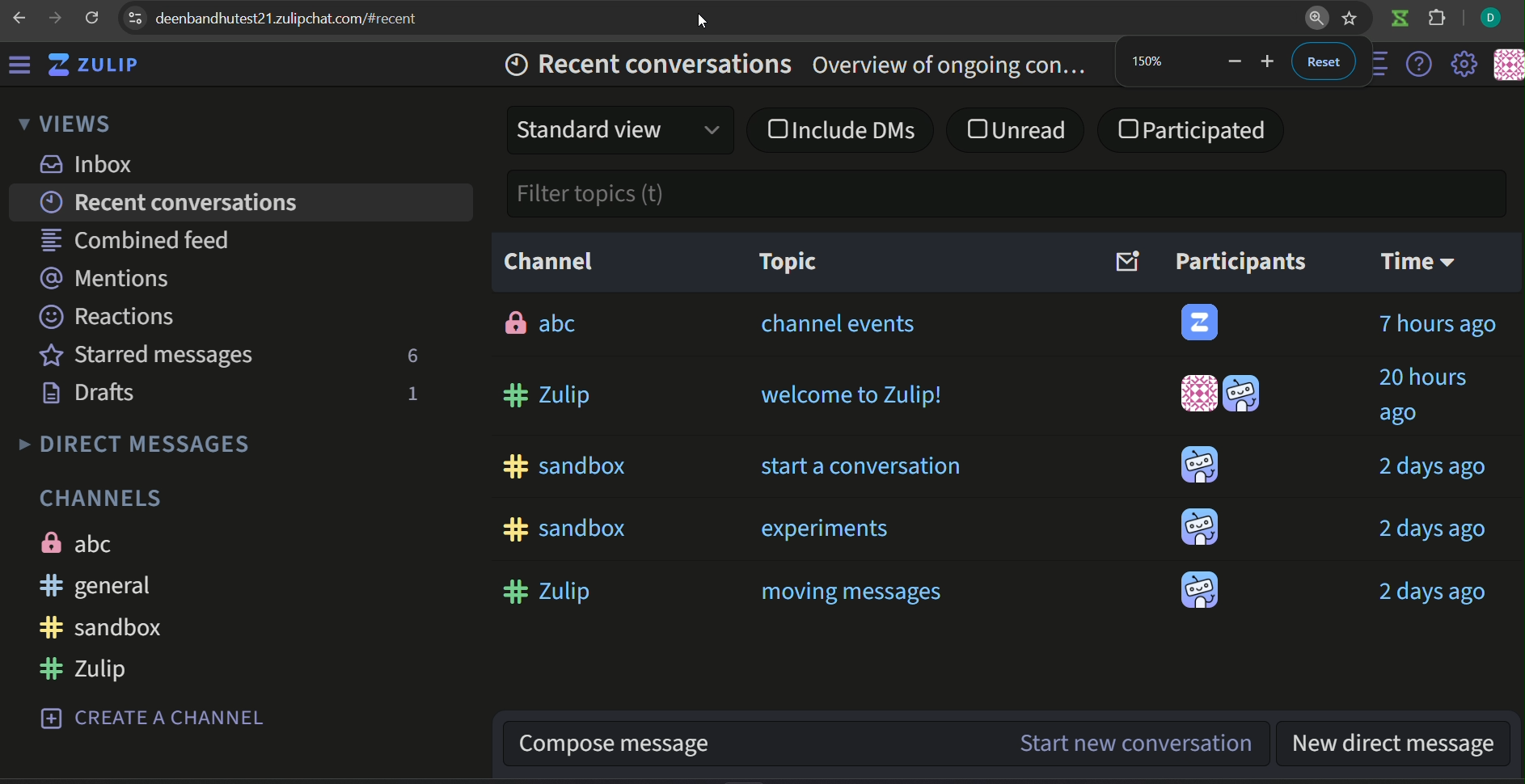 The width and height of the screenshot is (1525, 784). I want to click on settings, so click(1466, 64).